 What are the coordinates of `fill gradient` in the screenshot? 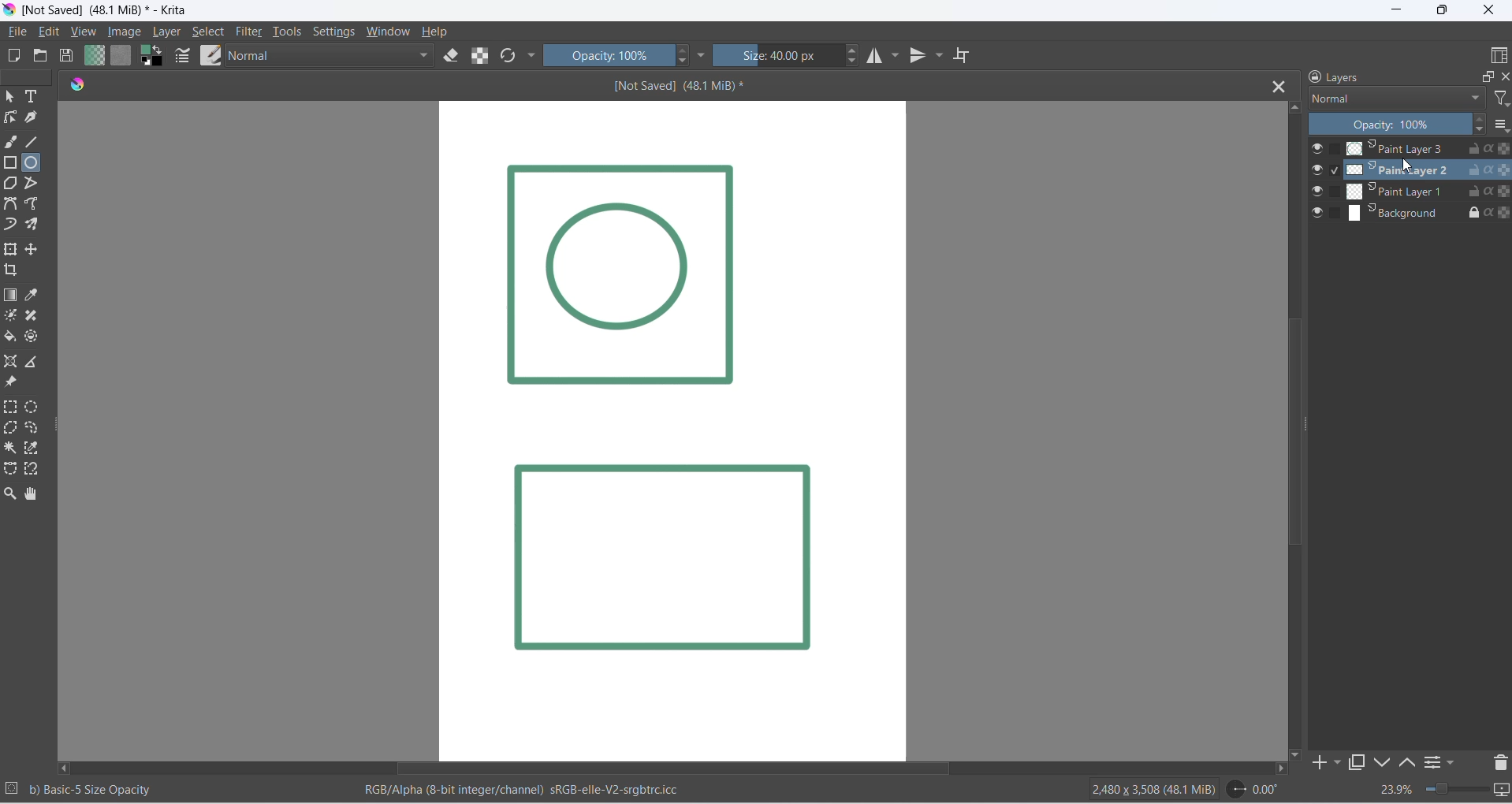 It's located at (95, 57).